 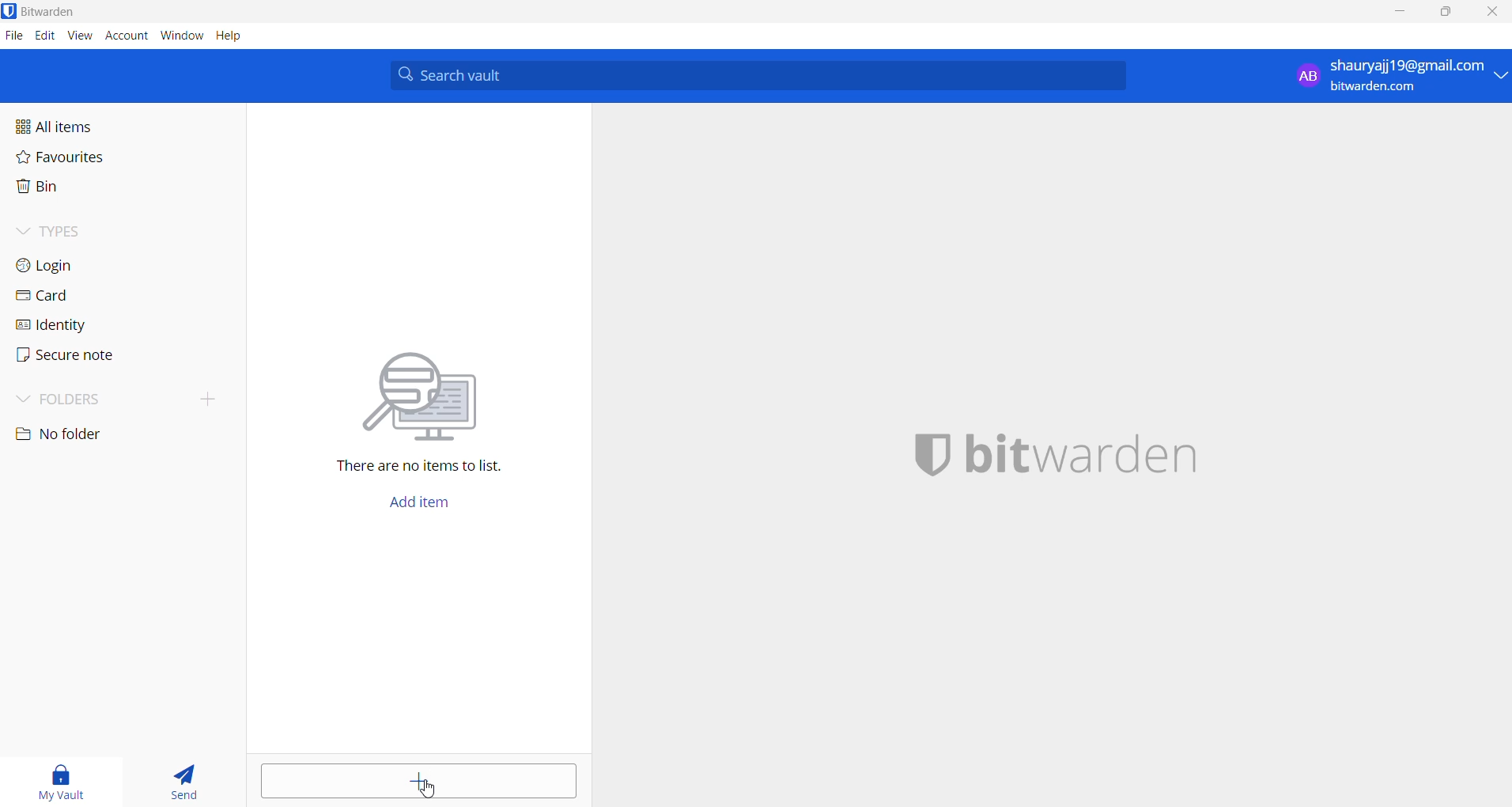 I want to click on application logo, so click(x=929, y=455).